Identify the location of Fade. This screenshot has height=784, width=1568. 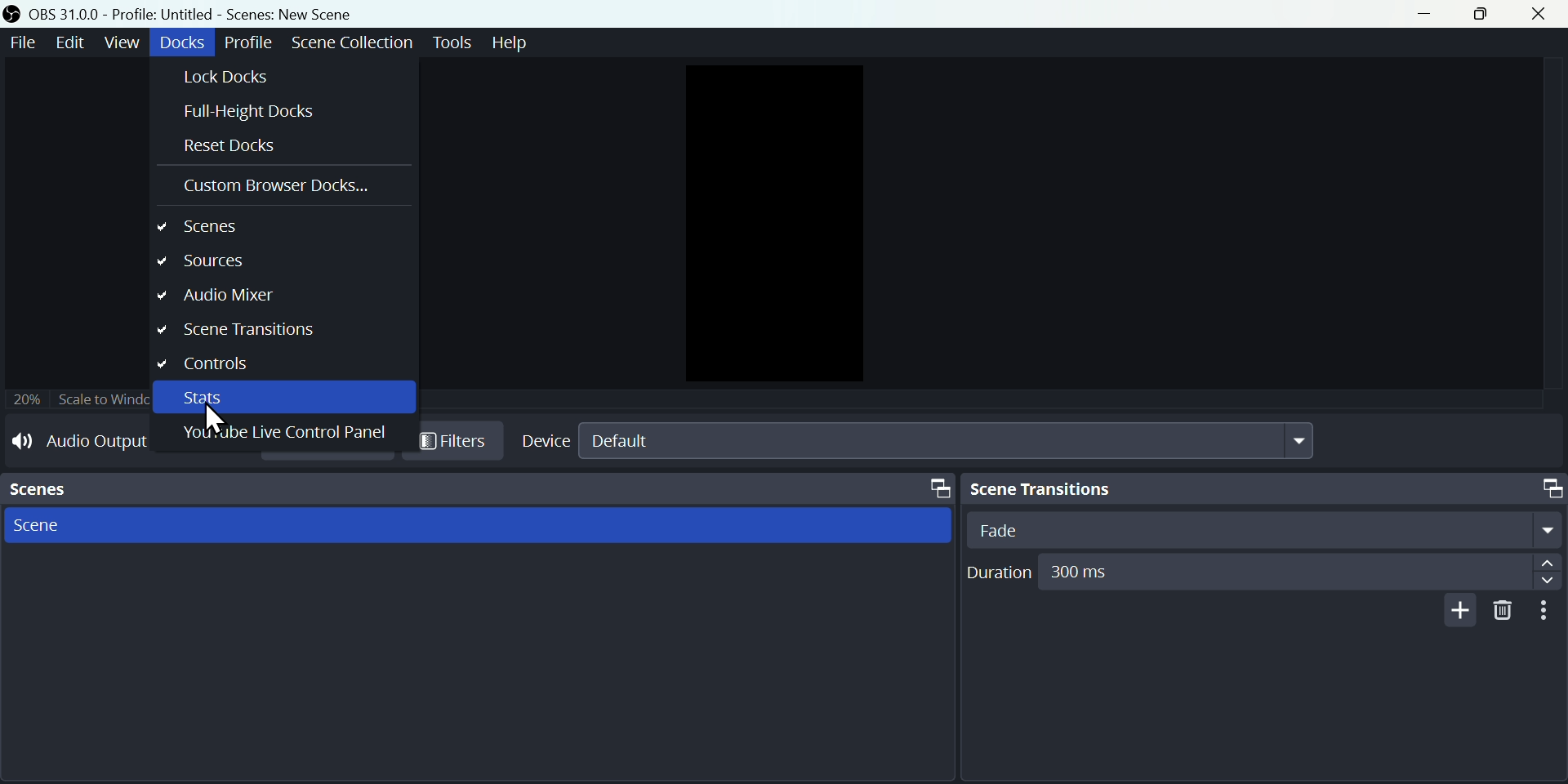
(1264, 530).